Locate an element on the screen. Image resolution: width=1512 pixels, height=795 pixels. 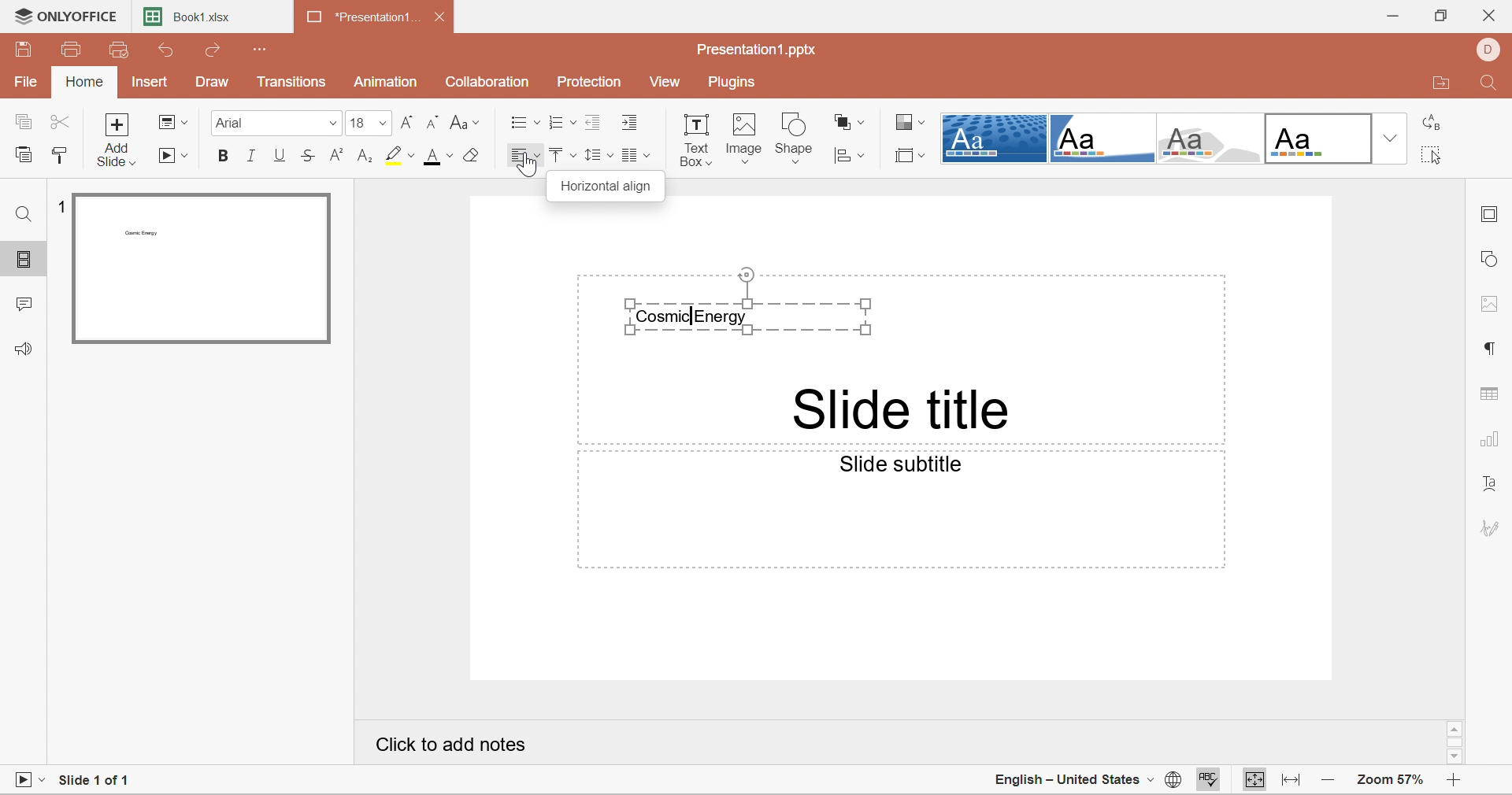
*Presentation1 is located at coordinates (365, 20).